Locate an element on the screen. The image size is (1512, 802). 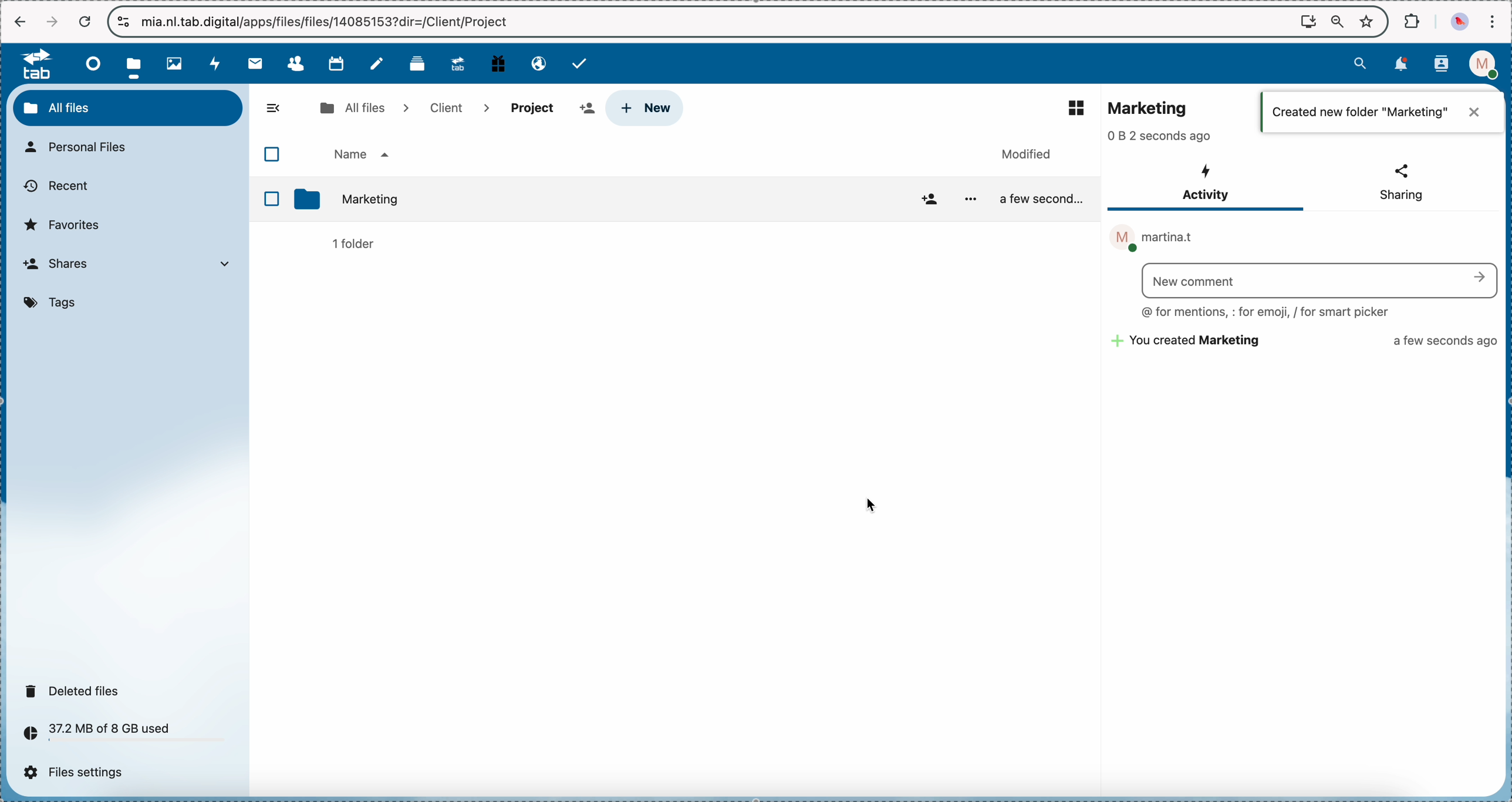
name is located at coordinates (361, 154).